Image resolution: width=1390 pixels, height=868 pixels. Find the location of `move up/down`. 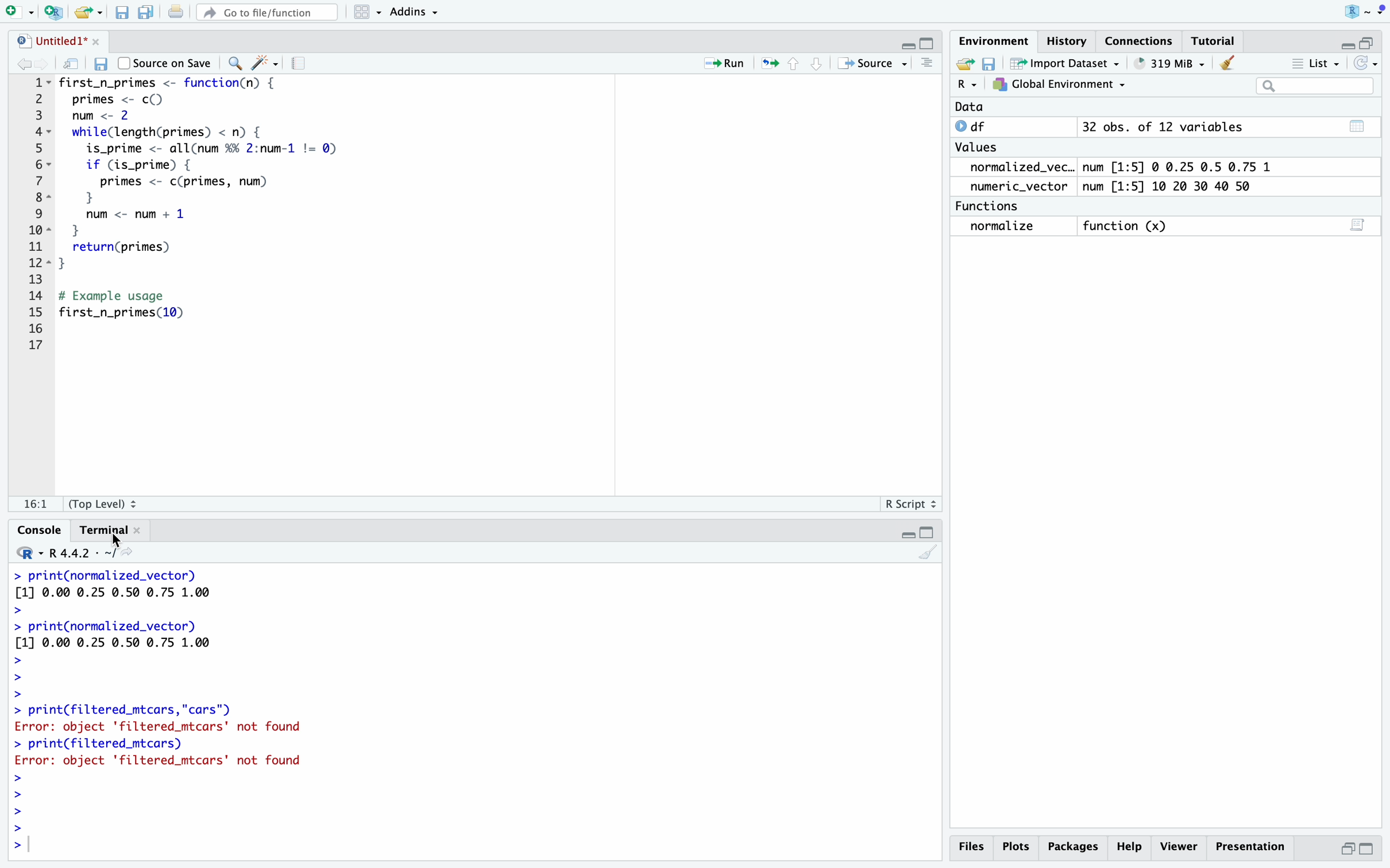

move up/down is located at coordinates (810, 63).